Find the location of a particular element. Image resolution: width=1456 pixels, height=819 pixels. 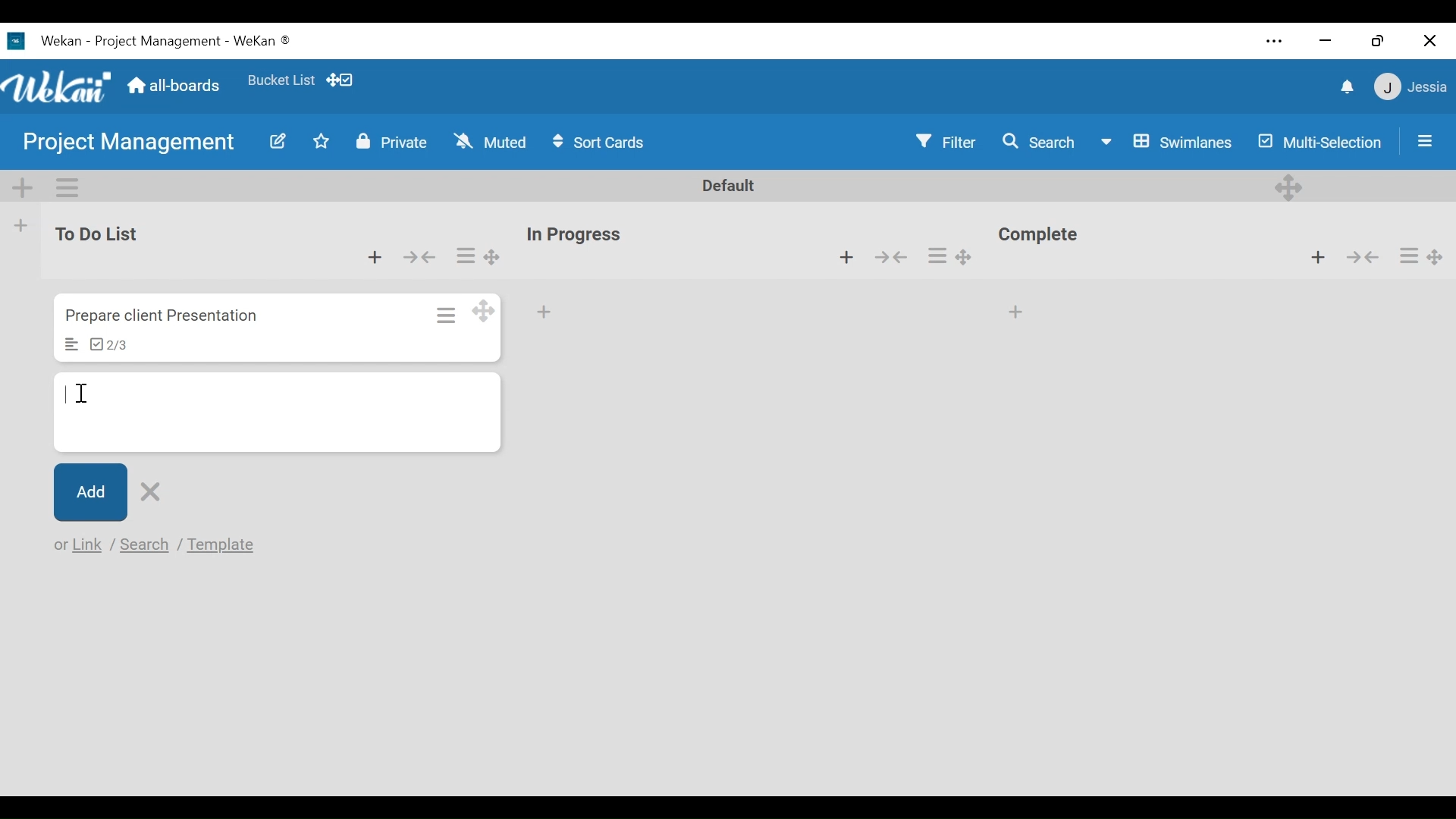

Desktop drag handles is located at coordinates (1439, 253).